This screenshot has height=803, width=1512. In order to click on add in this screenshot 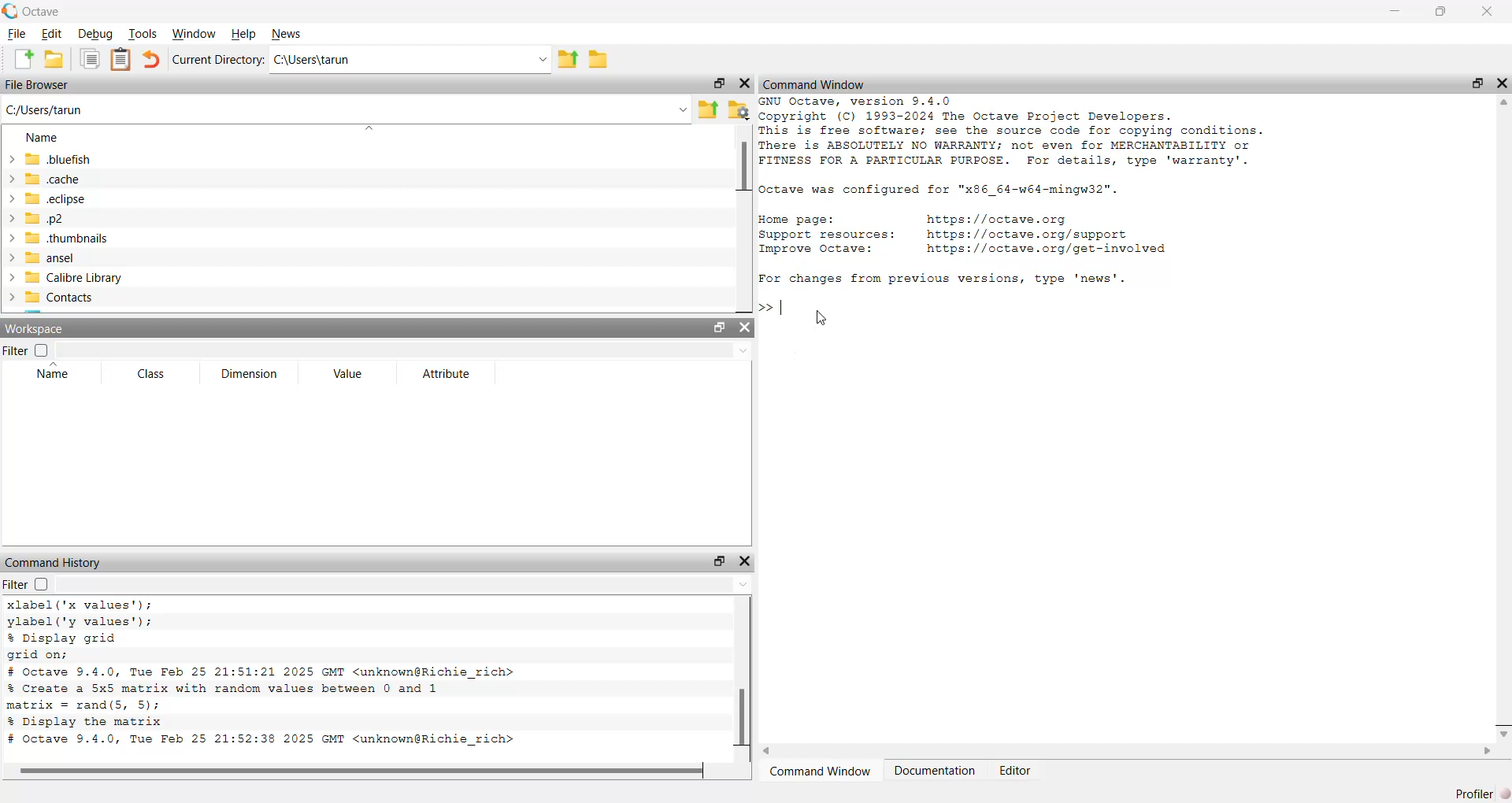, I will do `click(20, 60)`.